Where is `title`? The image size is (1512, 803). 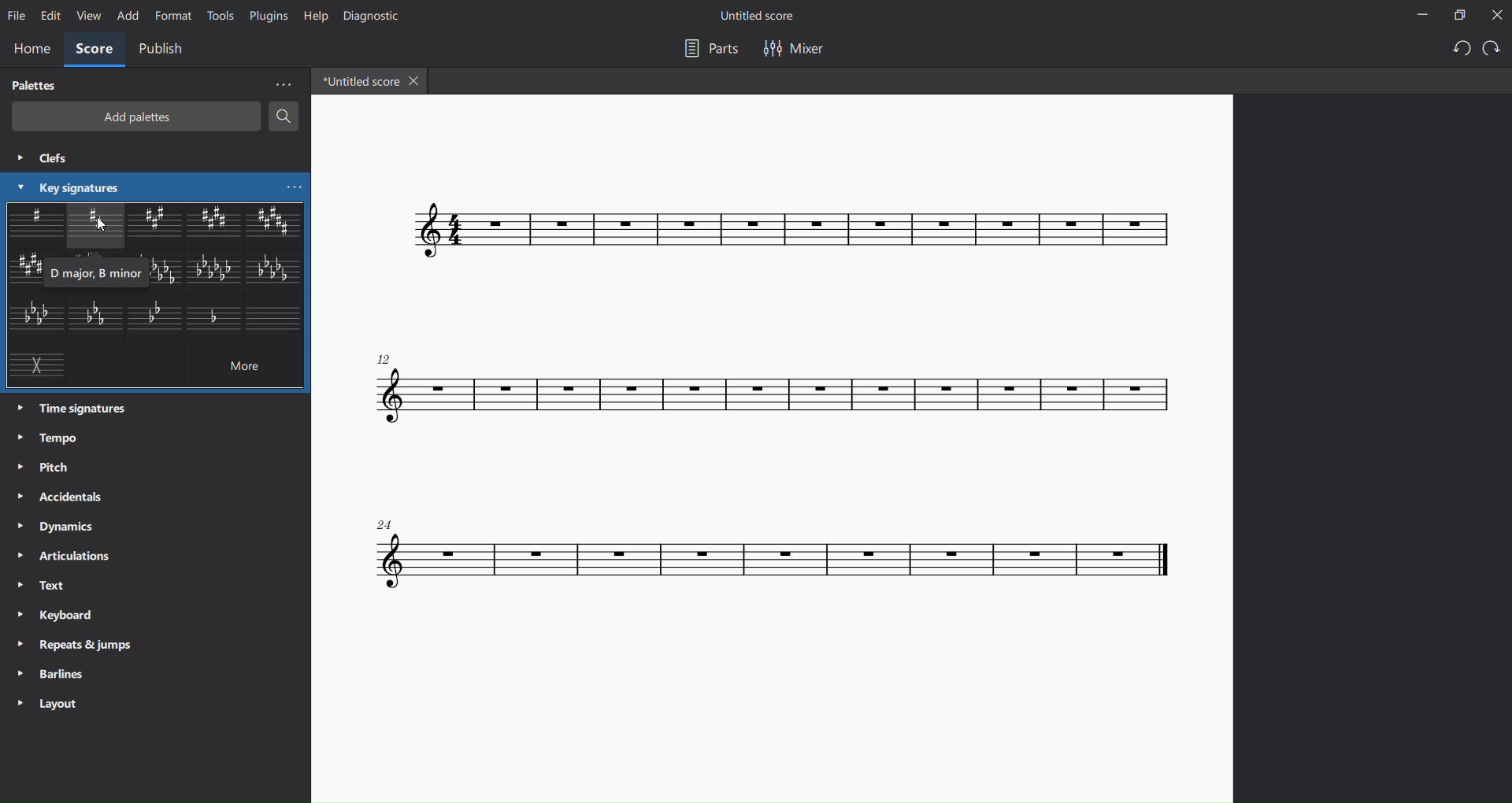 title is located at coordinates (757, 17).